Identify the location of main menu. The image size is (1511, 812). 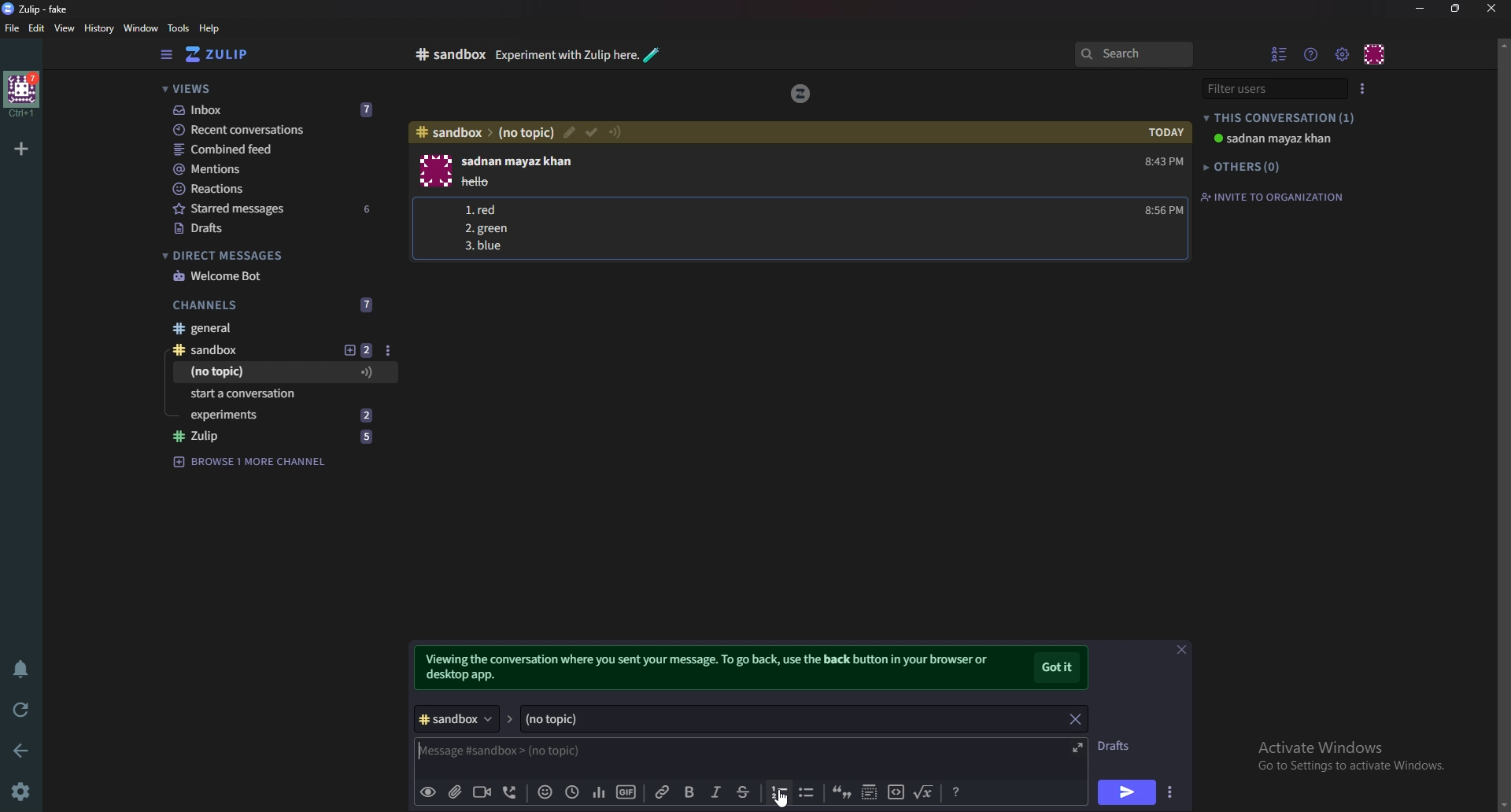
(1343, 54).